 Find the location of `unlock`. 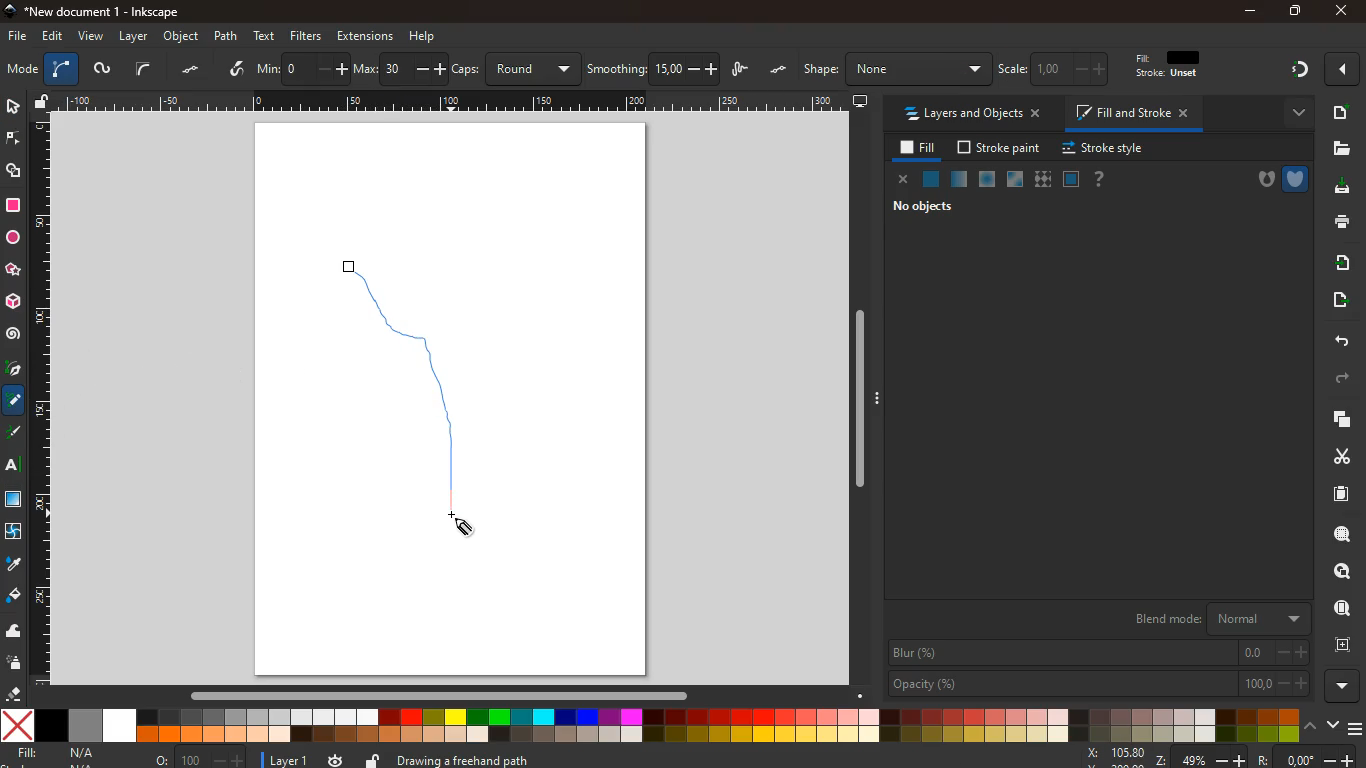

unlock is located at coordinates (44, 102).